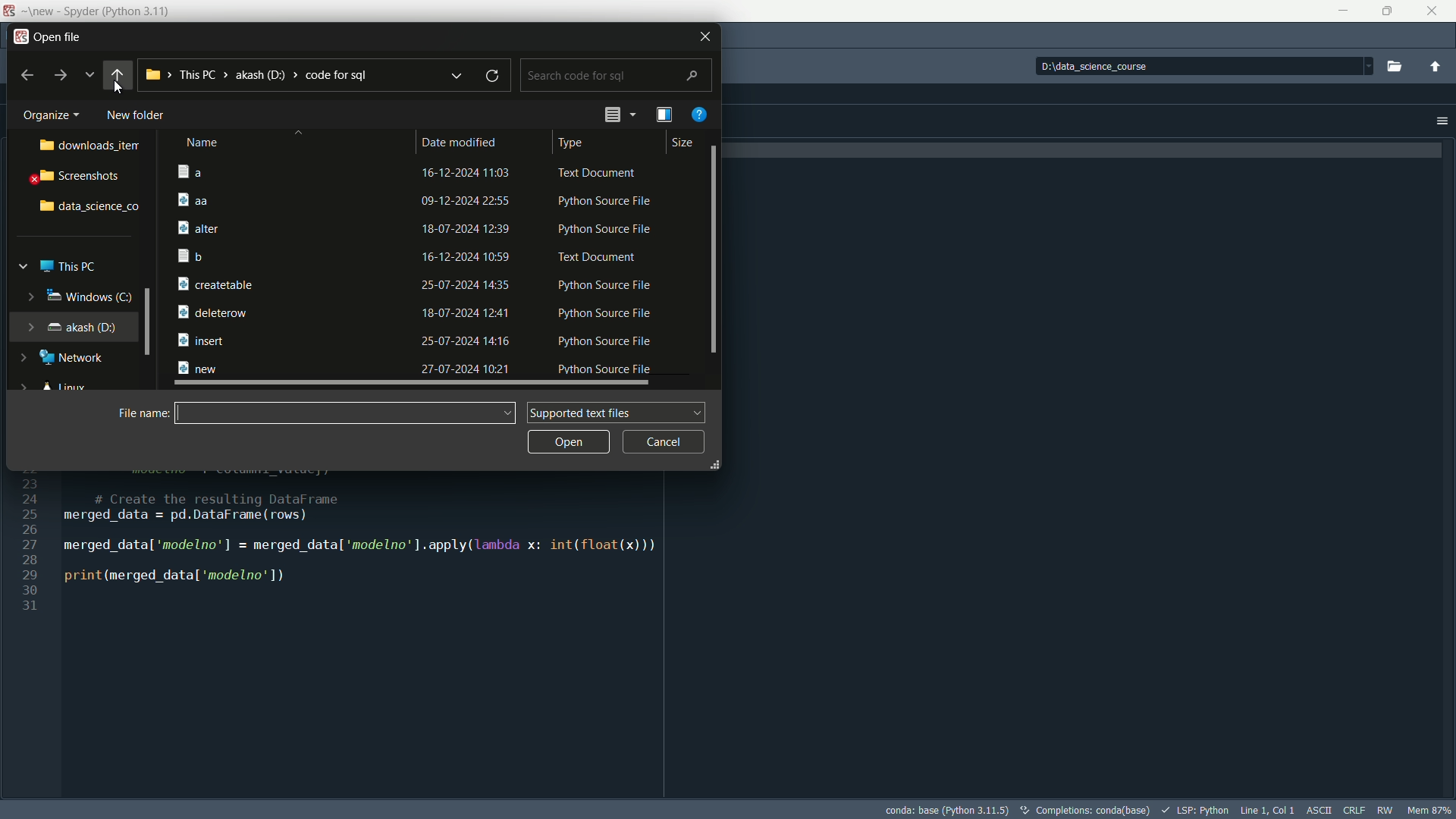  I want to click on this pc, so click(73, 267).